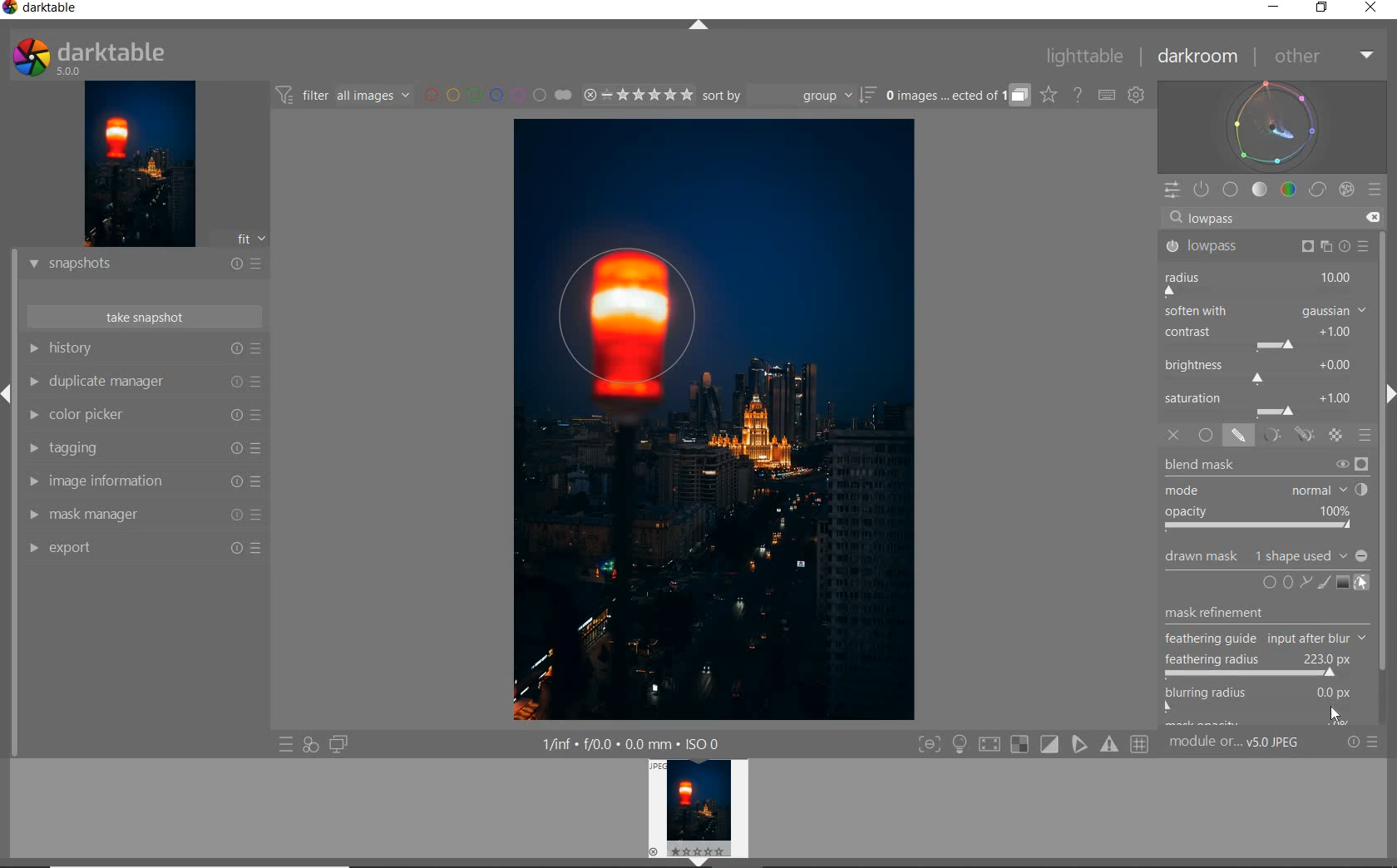 This screenshot has width=1397, height=868. What do you see at coordinates (1048, 96) in the screenshot?
I see `CLICK TO CHANGE THE OVERLAYS SHOWN ON THUMBNAILS` at bounding box center [1048, 96].